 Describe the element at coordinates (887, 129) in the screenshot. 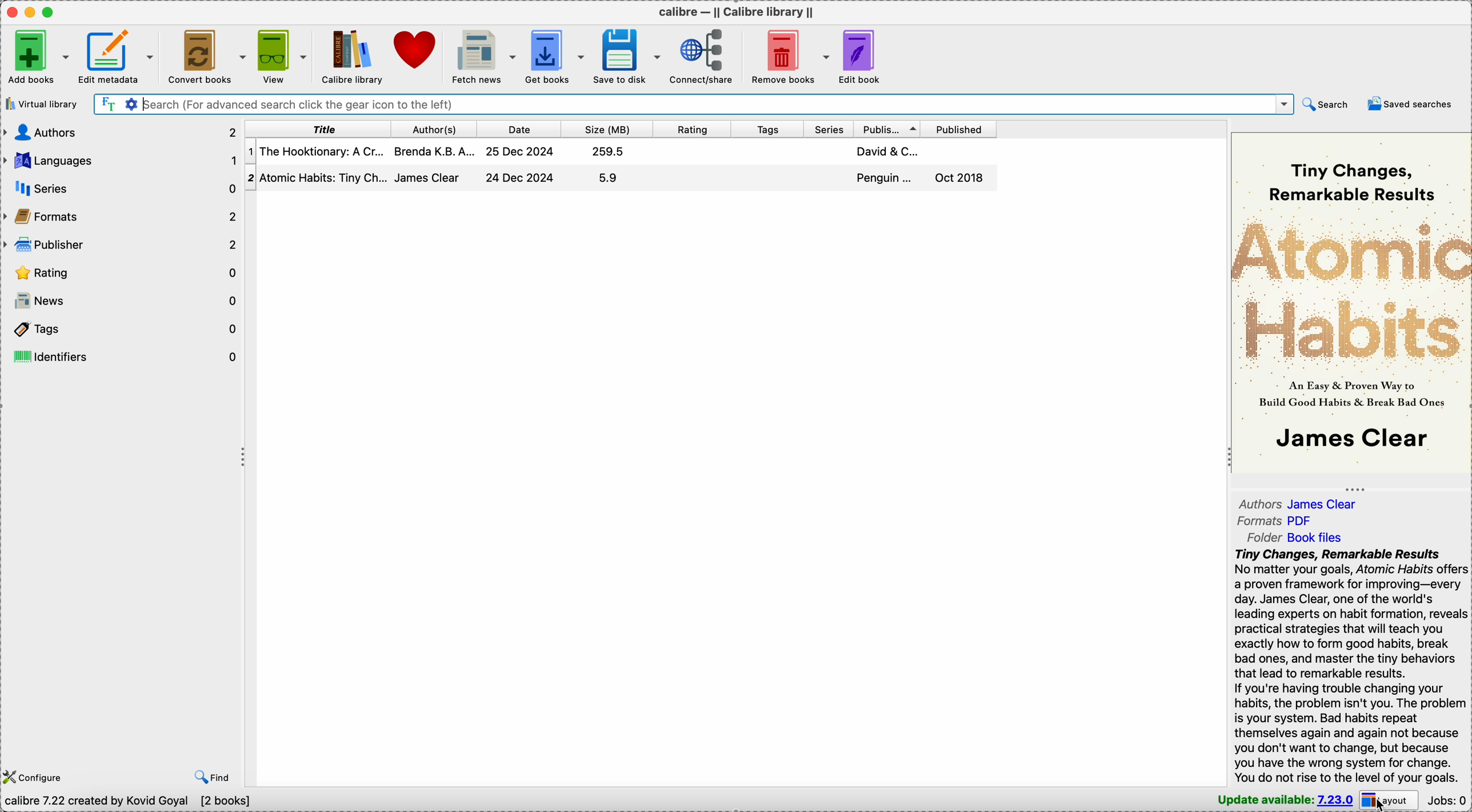

I see `publisher` at that location.